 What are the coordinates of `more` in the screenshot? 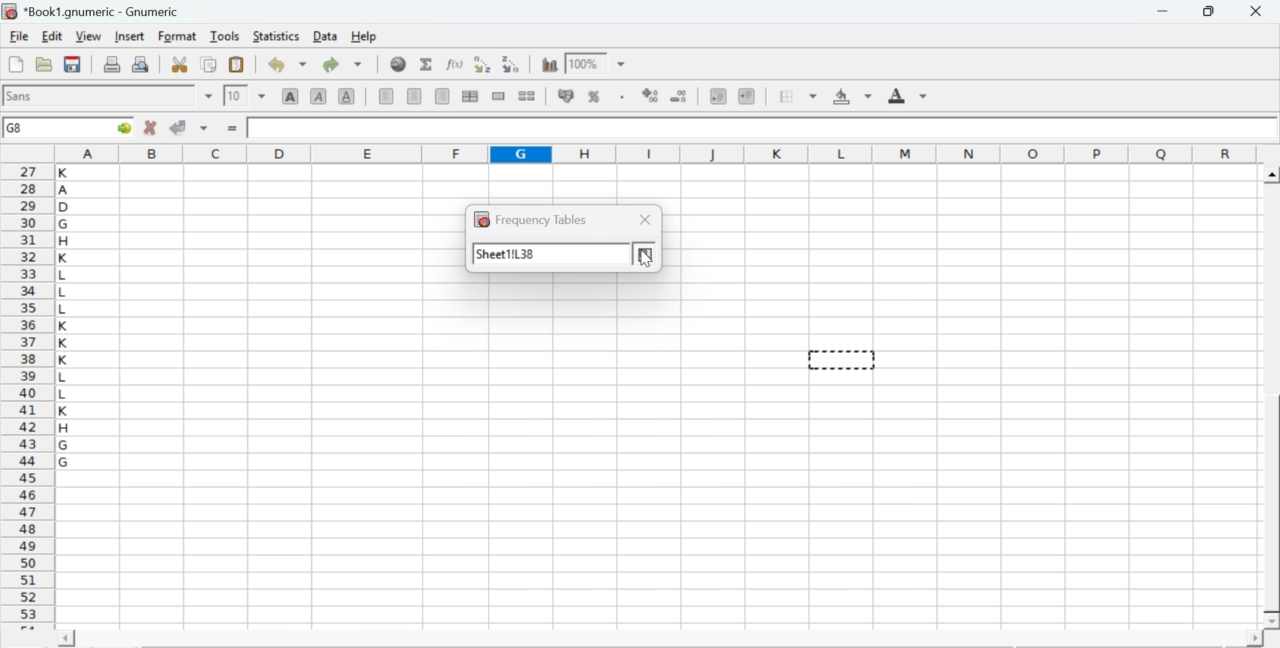 It's located at (646, 255).